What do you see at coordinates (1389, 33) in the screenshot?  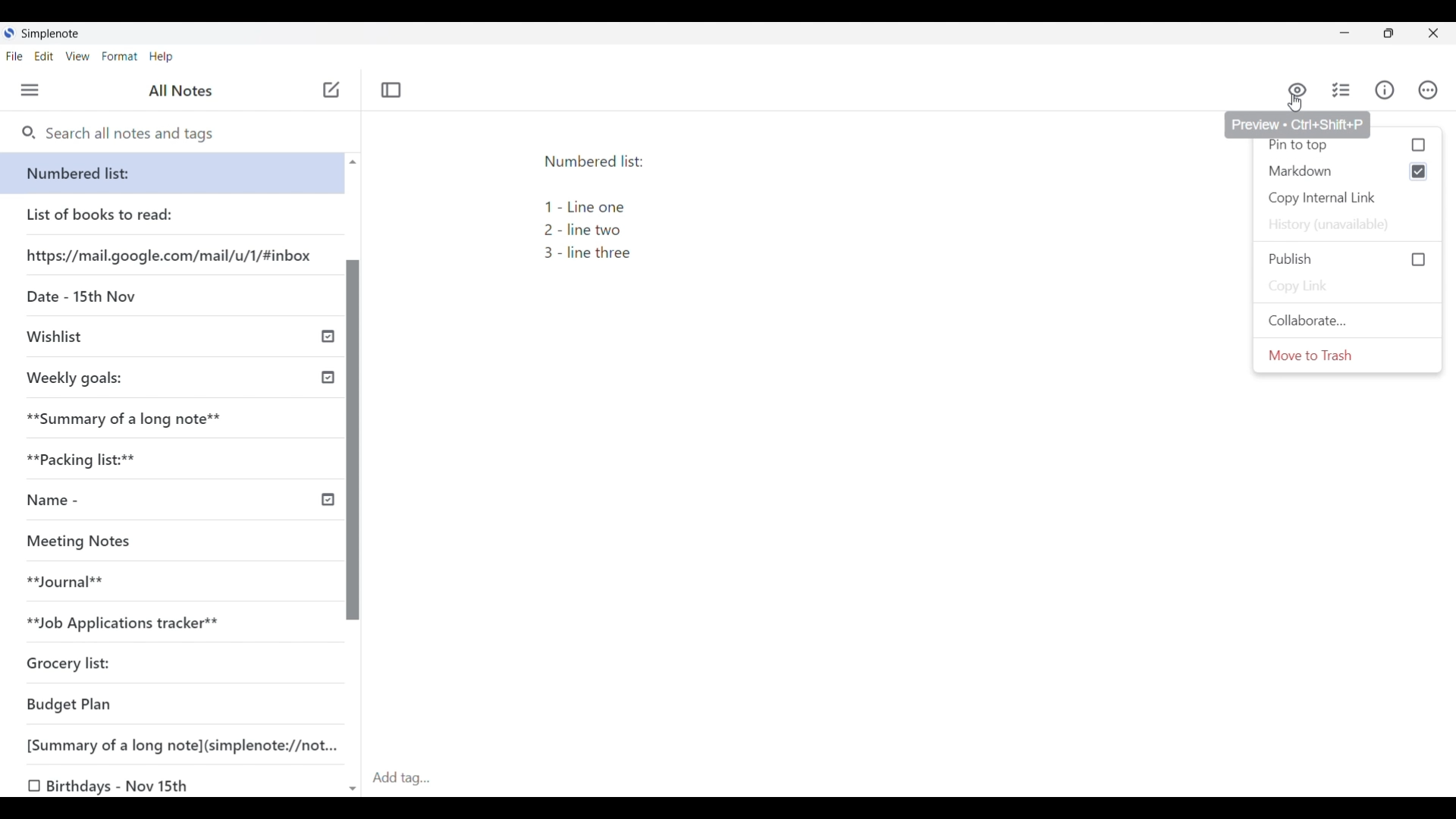 I see `Show interface in smaller tab` at bounding box center [1389, 33].